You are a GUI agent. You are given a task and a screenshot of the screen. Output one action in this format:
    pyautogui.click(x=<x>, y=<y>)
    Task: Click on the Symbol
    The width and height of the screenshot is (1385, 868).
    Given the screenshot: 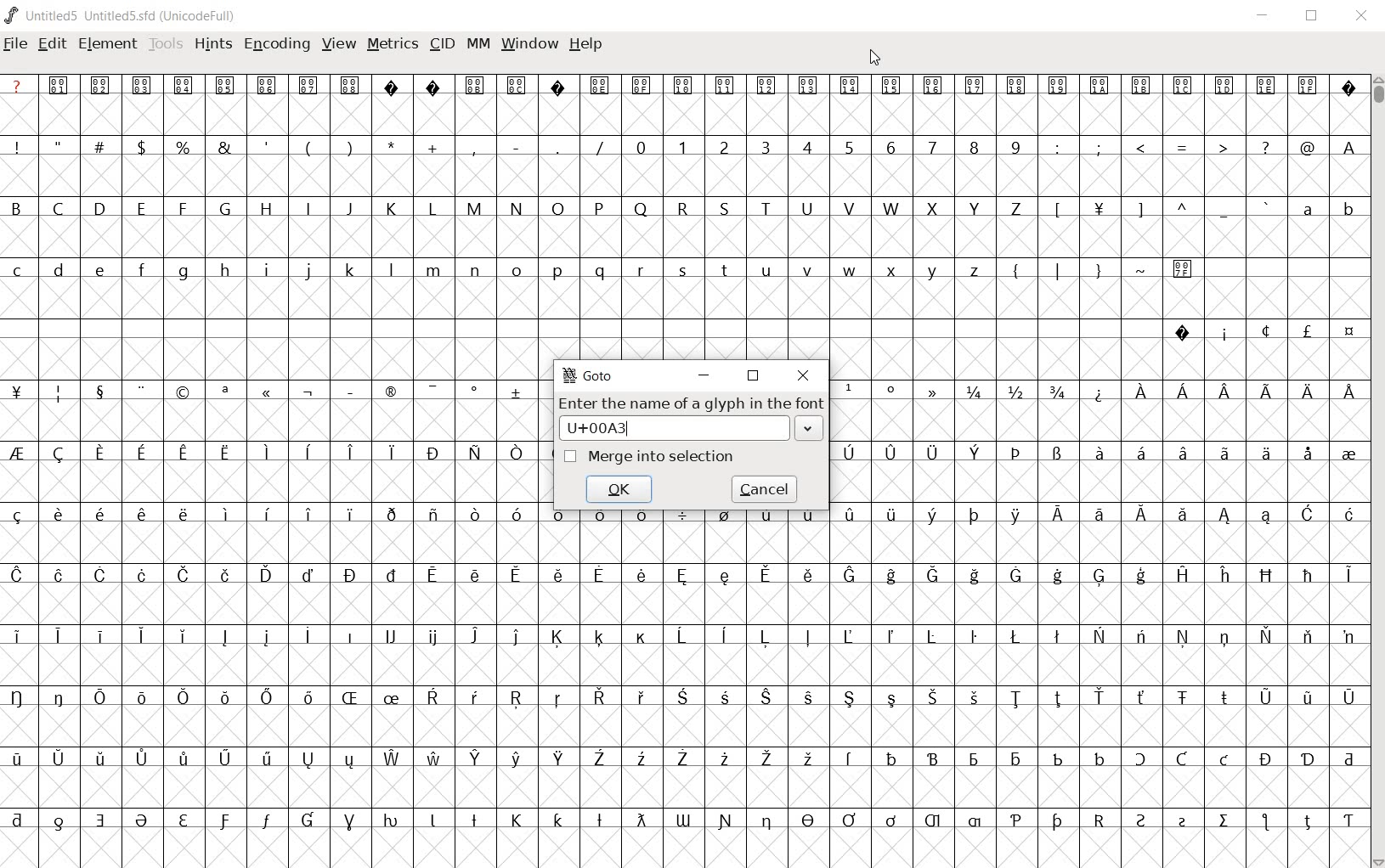 What is the action you would take?
    pyautogui.click(x=974, y=85)
    